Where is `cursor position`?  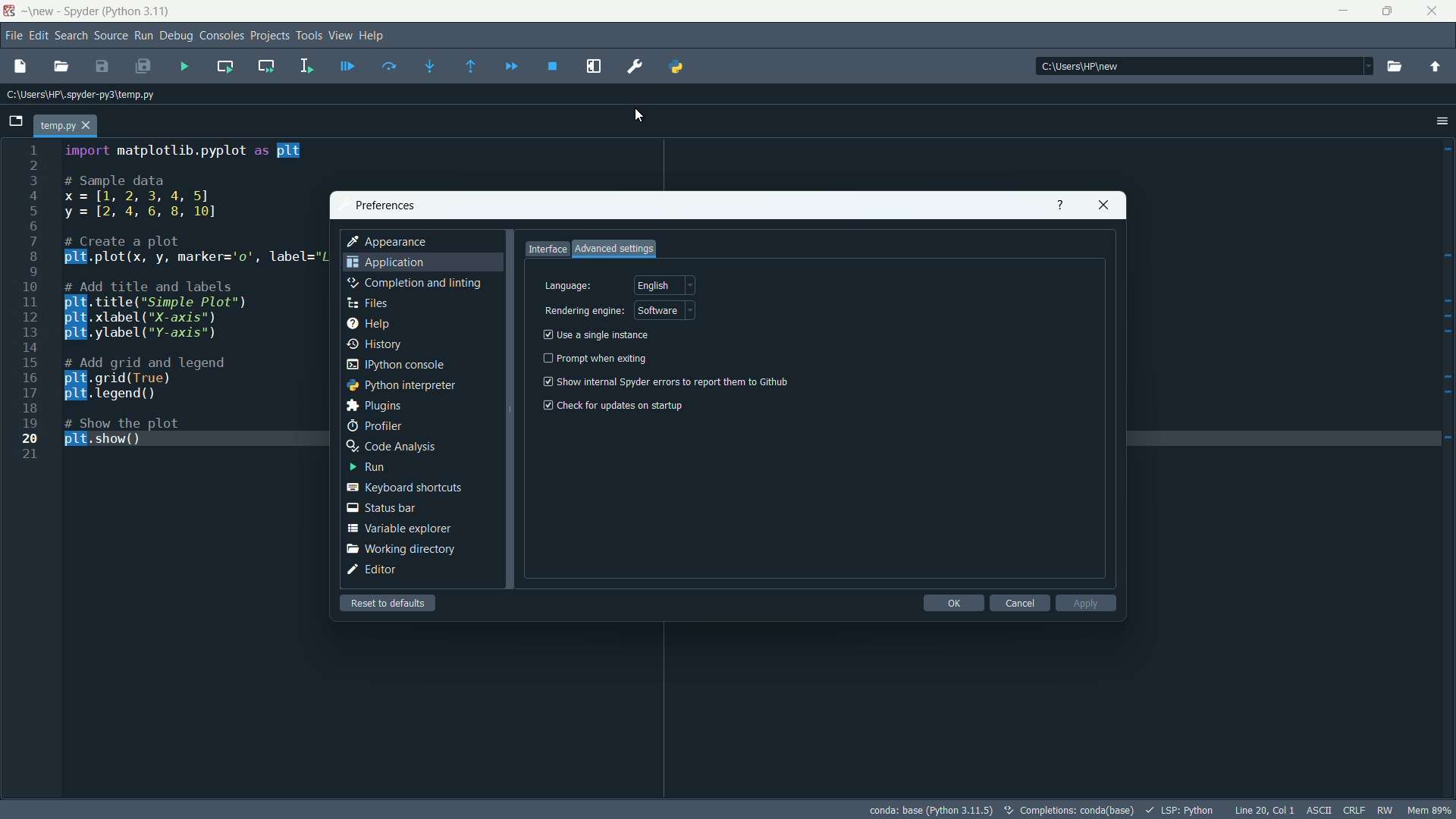 cursor position is located at coordinates (1264, 810).